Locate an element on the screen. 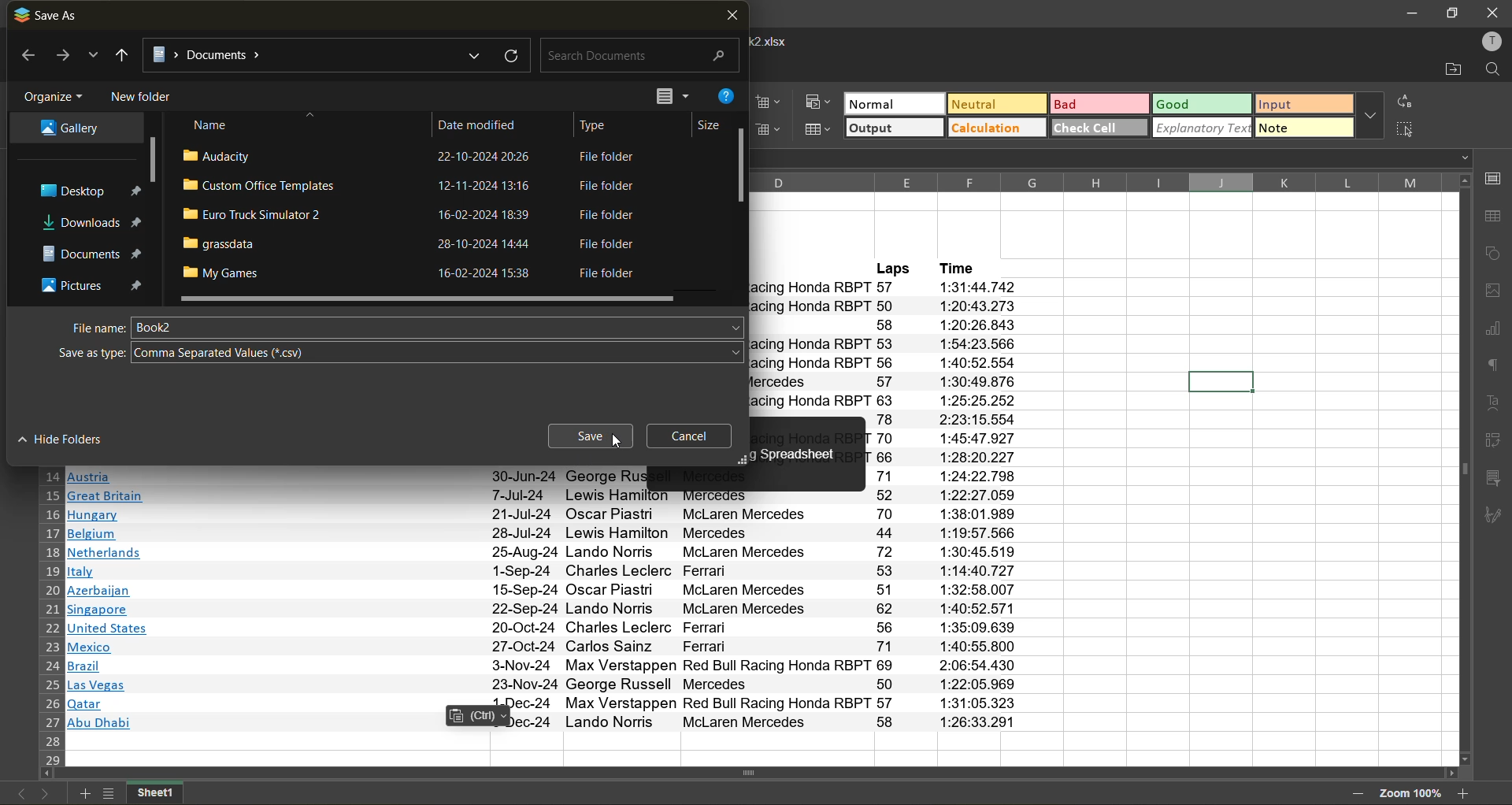 The width and height of the screenshot is (1512, 805). vertical scrollbar is located at coordinates (1462, 469).